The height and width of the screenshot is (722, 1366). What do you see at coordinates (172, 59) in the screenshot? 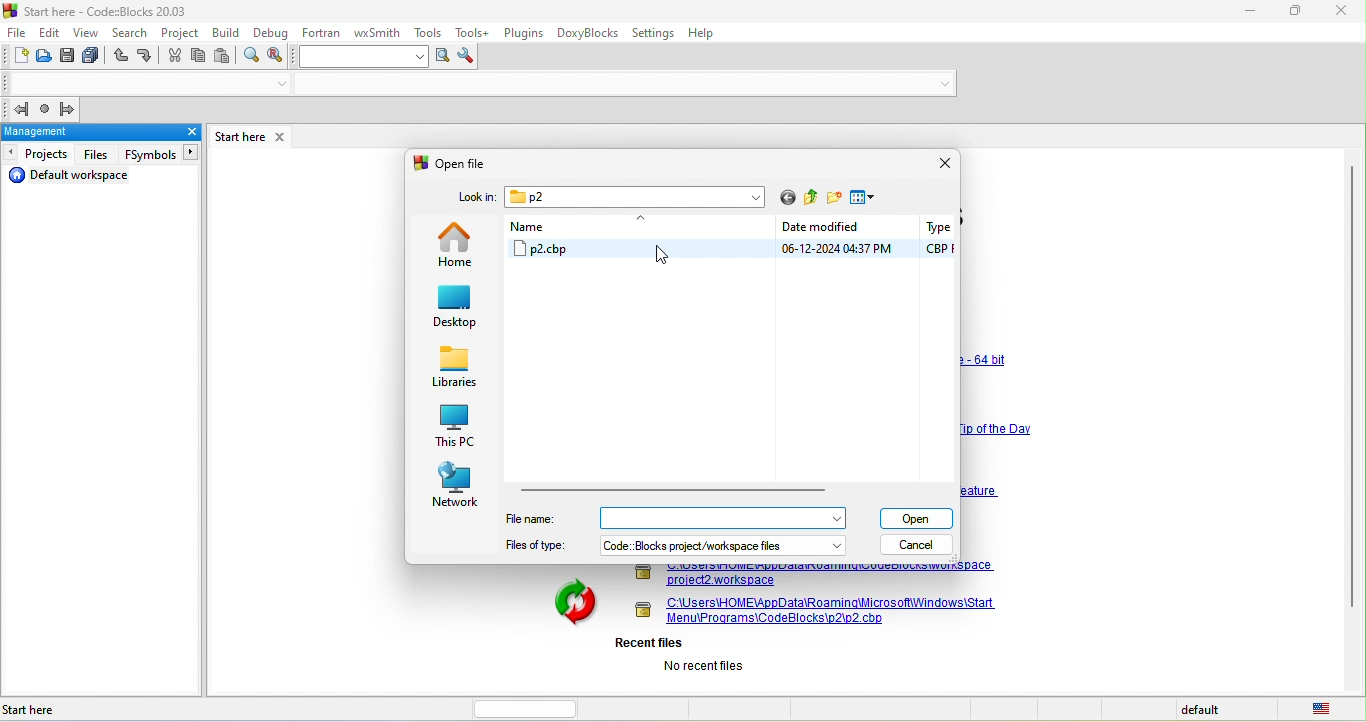
I see `cut` at bounding box center [172, 59].